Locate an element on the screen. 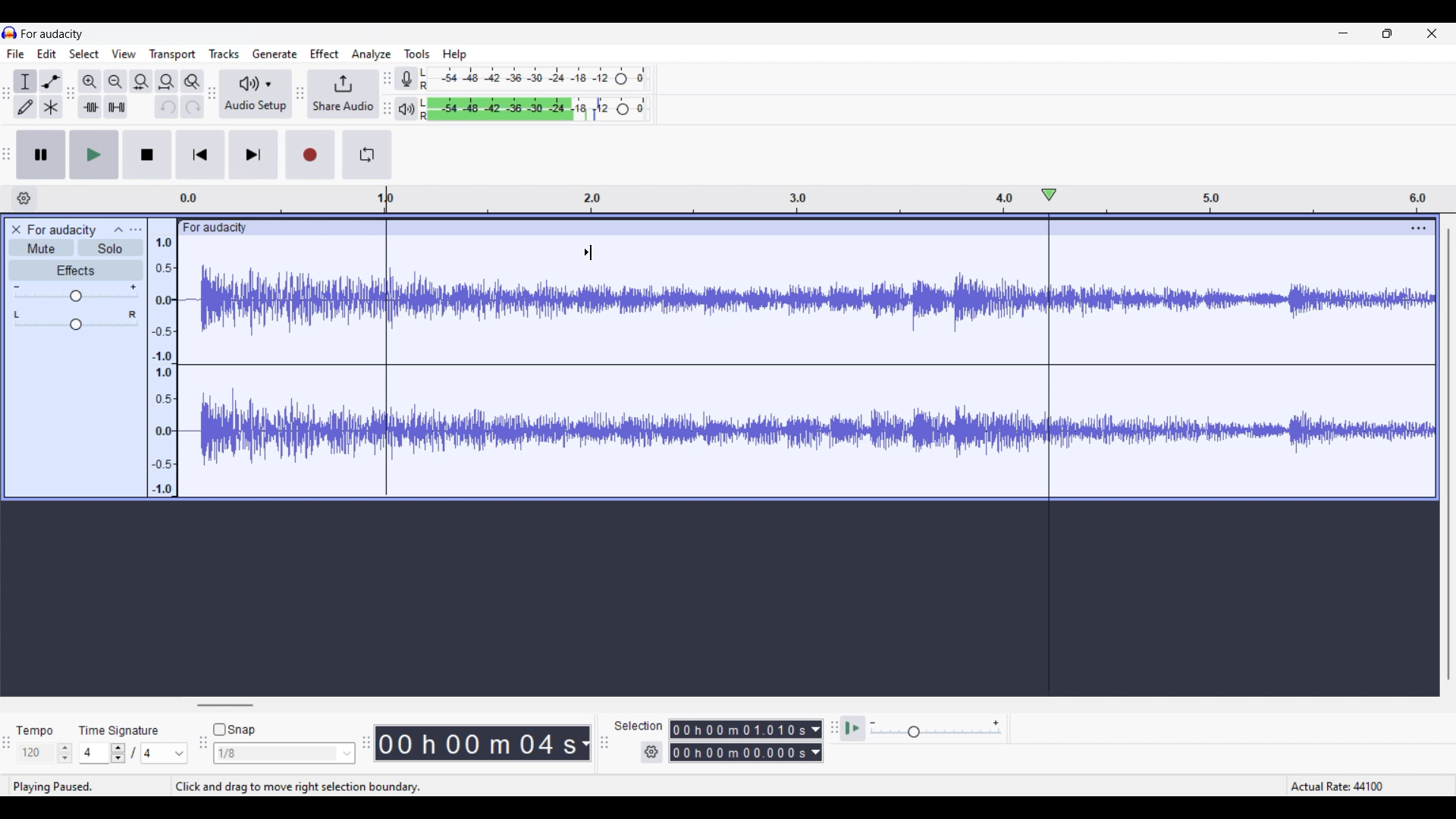 The image size is (1456, 819). Undo is located at coordinates (167, 106).